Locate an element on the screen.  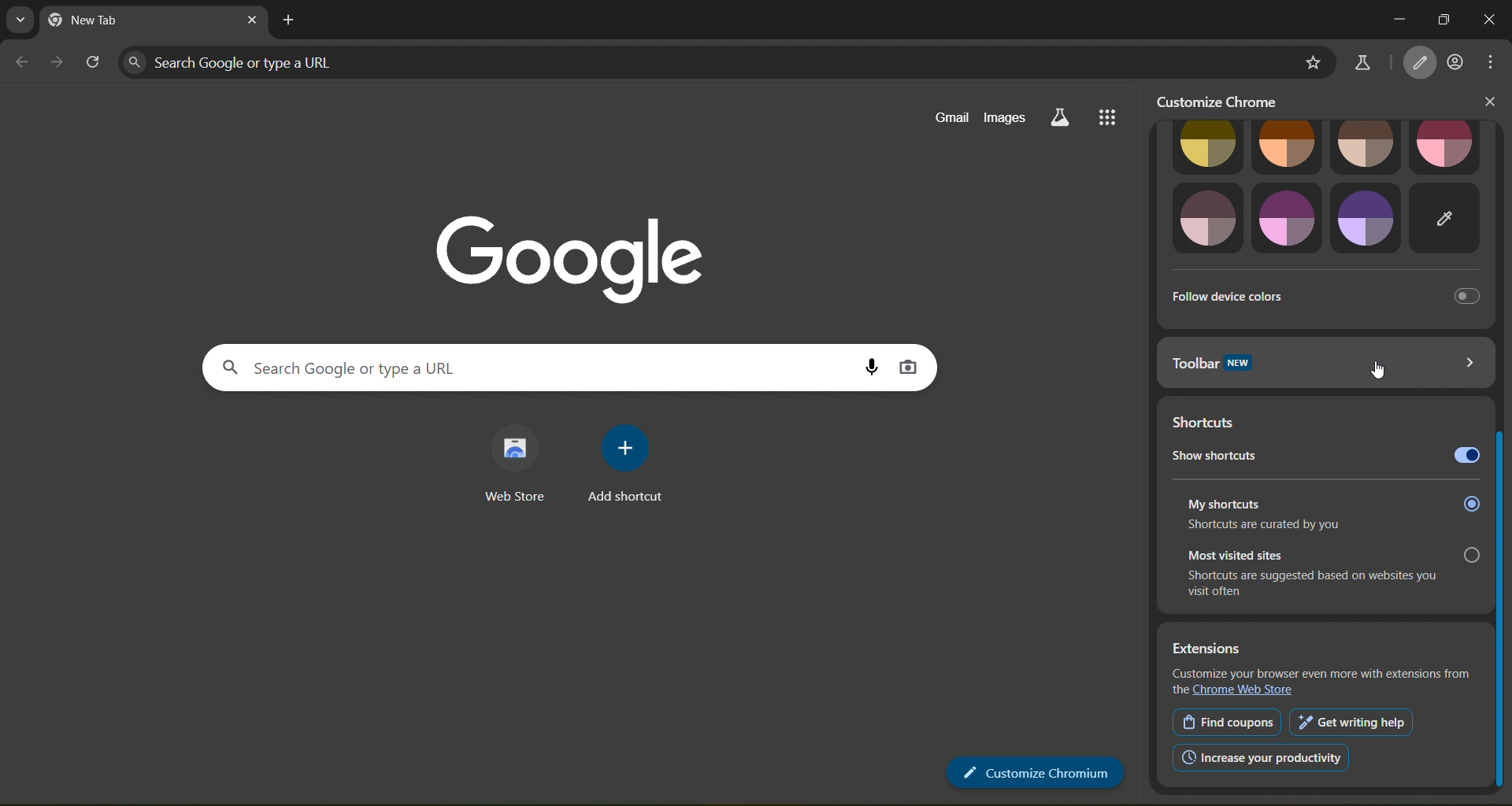
google apps is located at coordinates (1114, 117).